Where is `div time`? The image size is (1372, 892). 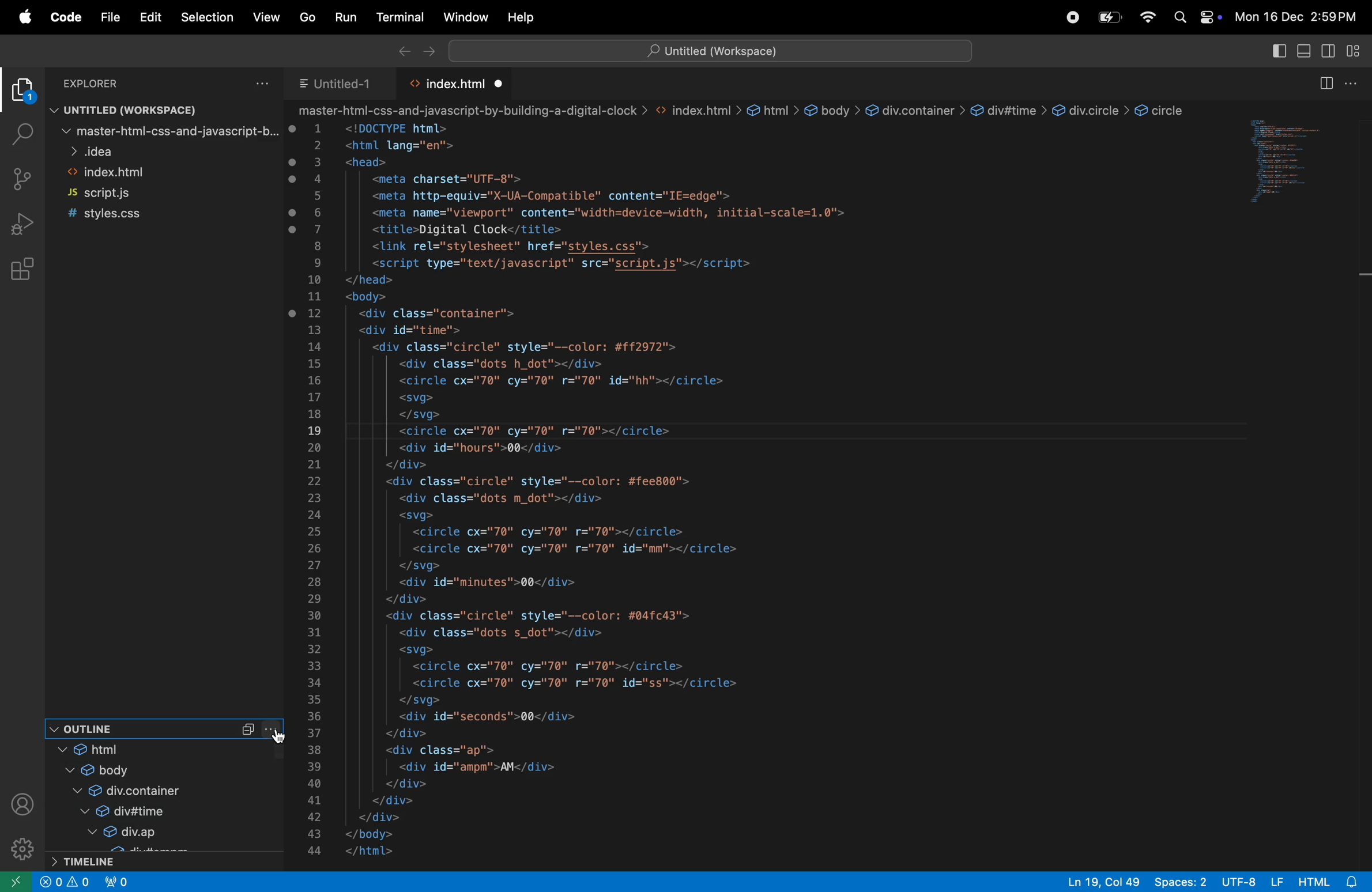
div time is located at coordinates (144, 814).